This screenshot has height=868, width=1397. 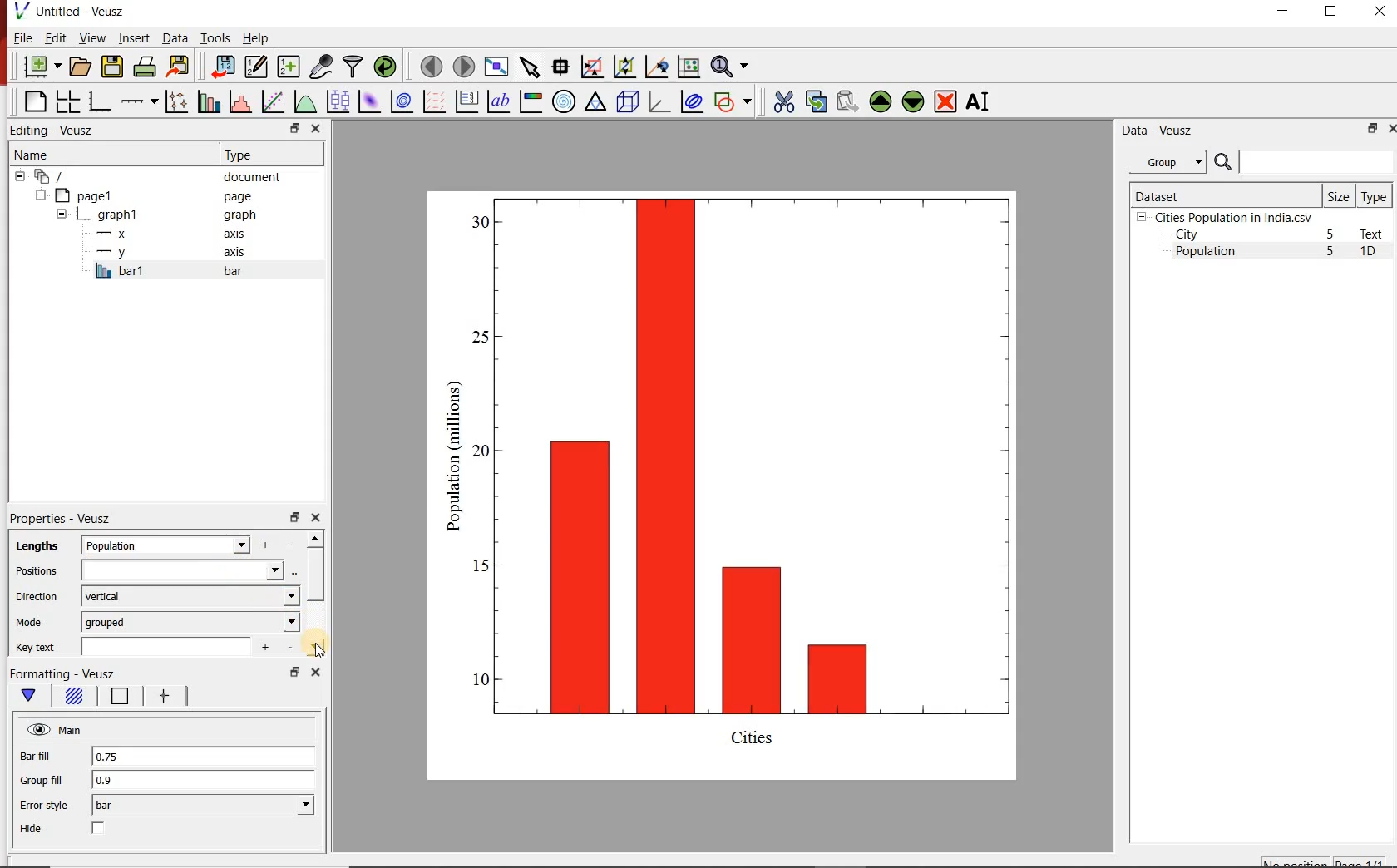 I want to click on filter data, so click(x=353, y=67).